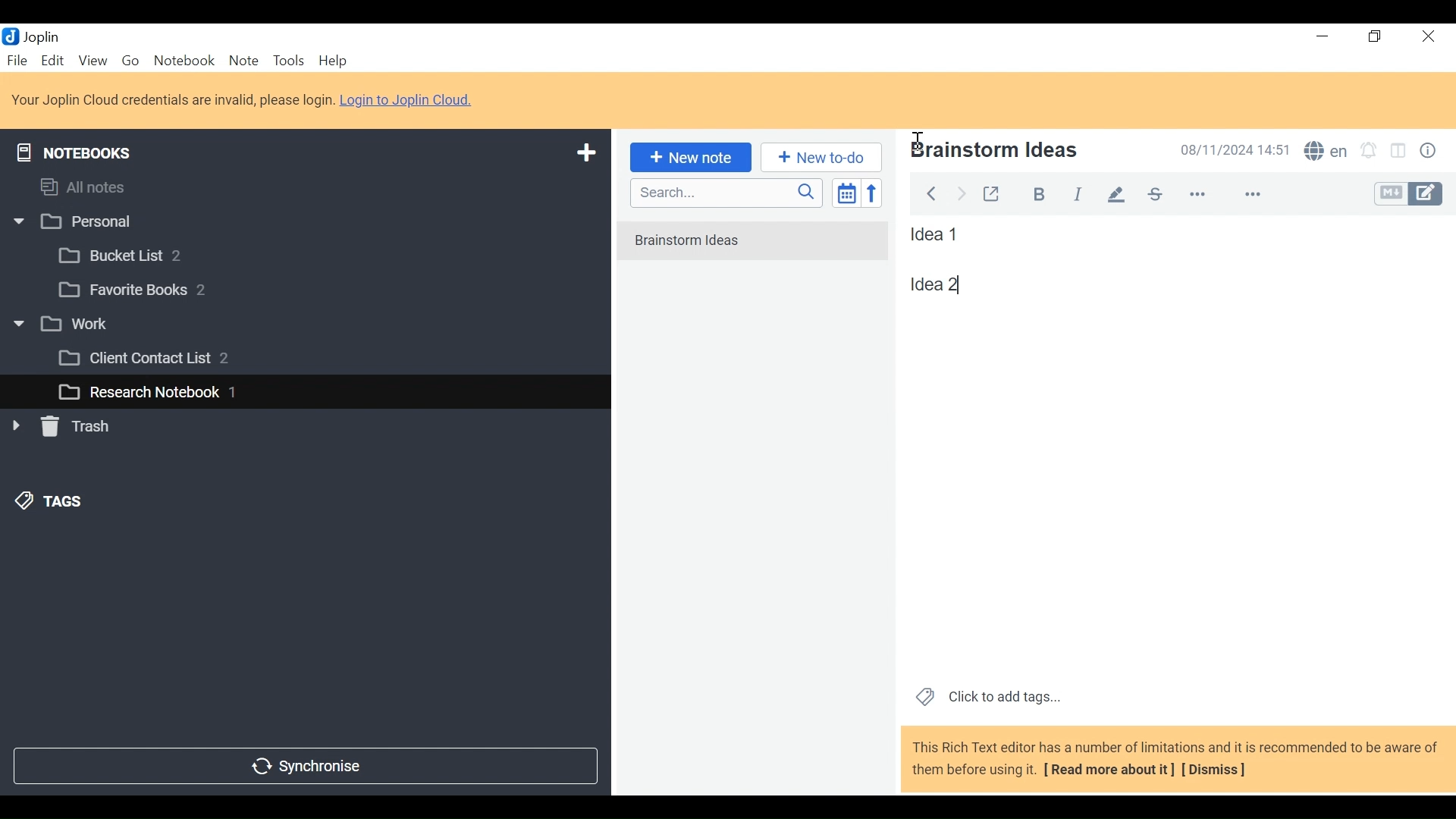 This screenshot has width=1456, height=819. What do you see at coordinates (172, 100) in the screenshot?
I see `Login to Joplin Cloud` at bounding box center [172, 100].